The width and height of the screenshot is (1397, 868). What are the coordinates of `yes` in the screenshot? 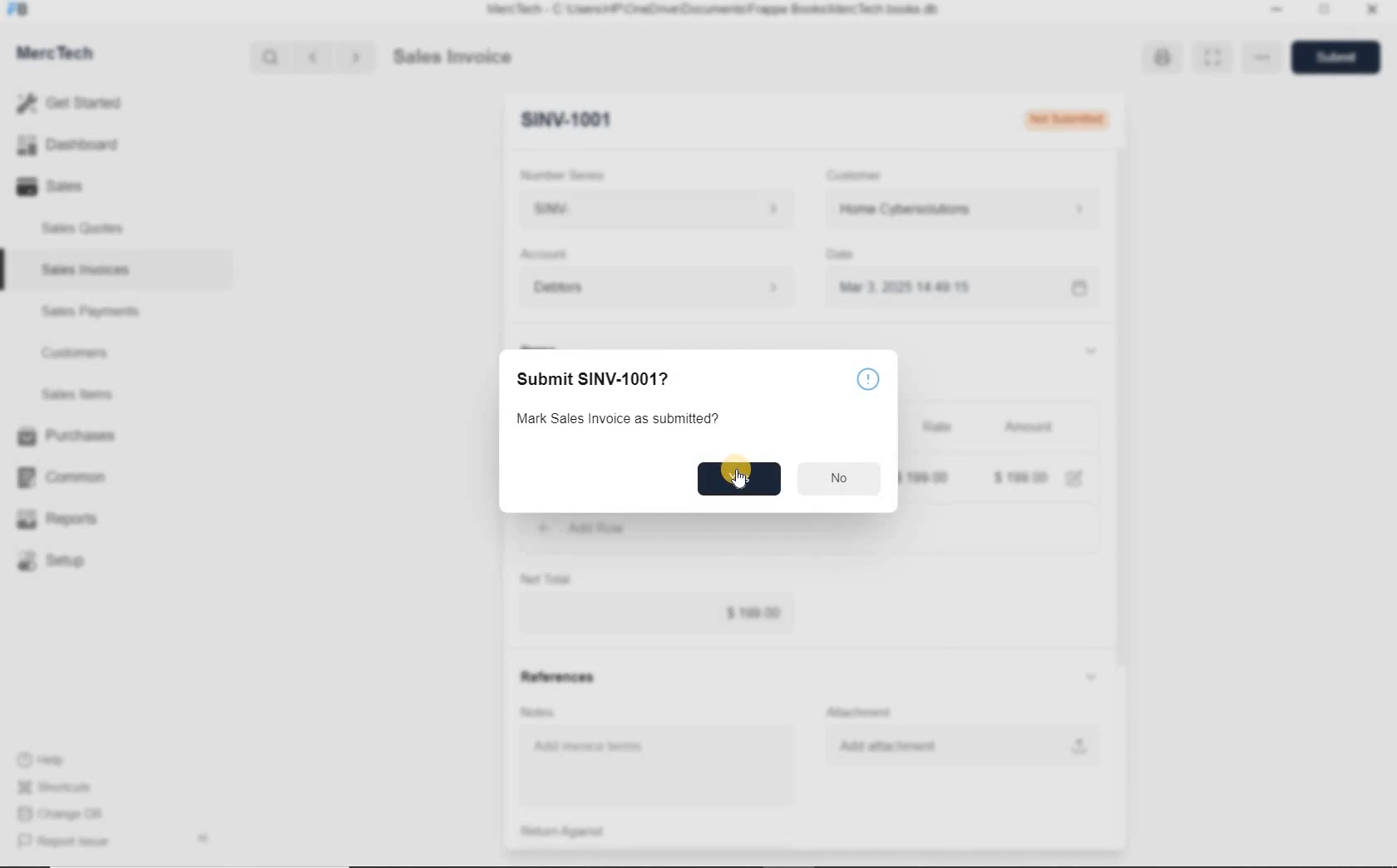 It's located at (738, 477).